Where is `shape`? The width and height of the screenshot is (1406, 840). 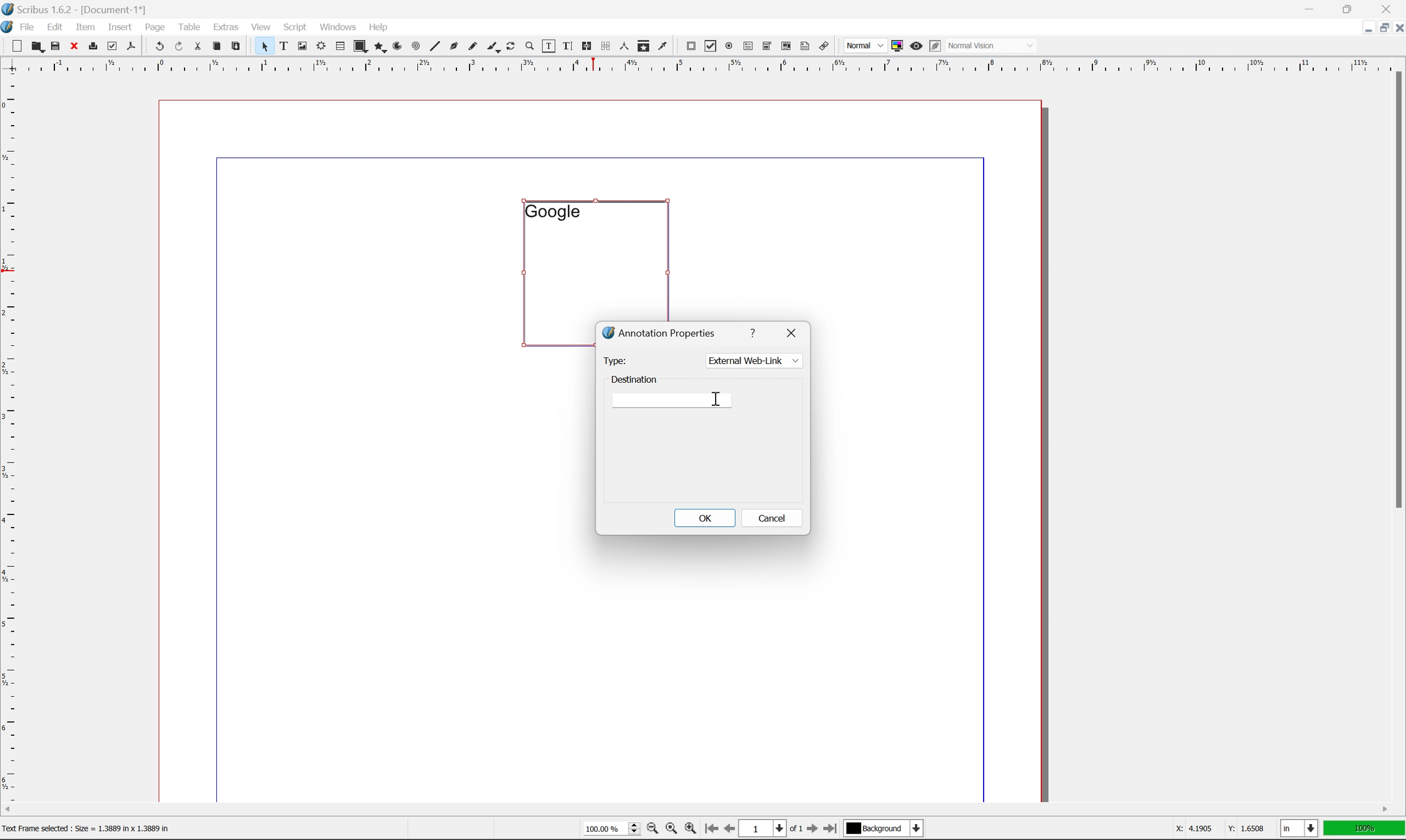 shape is located at coordinates (361, 47).